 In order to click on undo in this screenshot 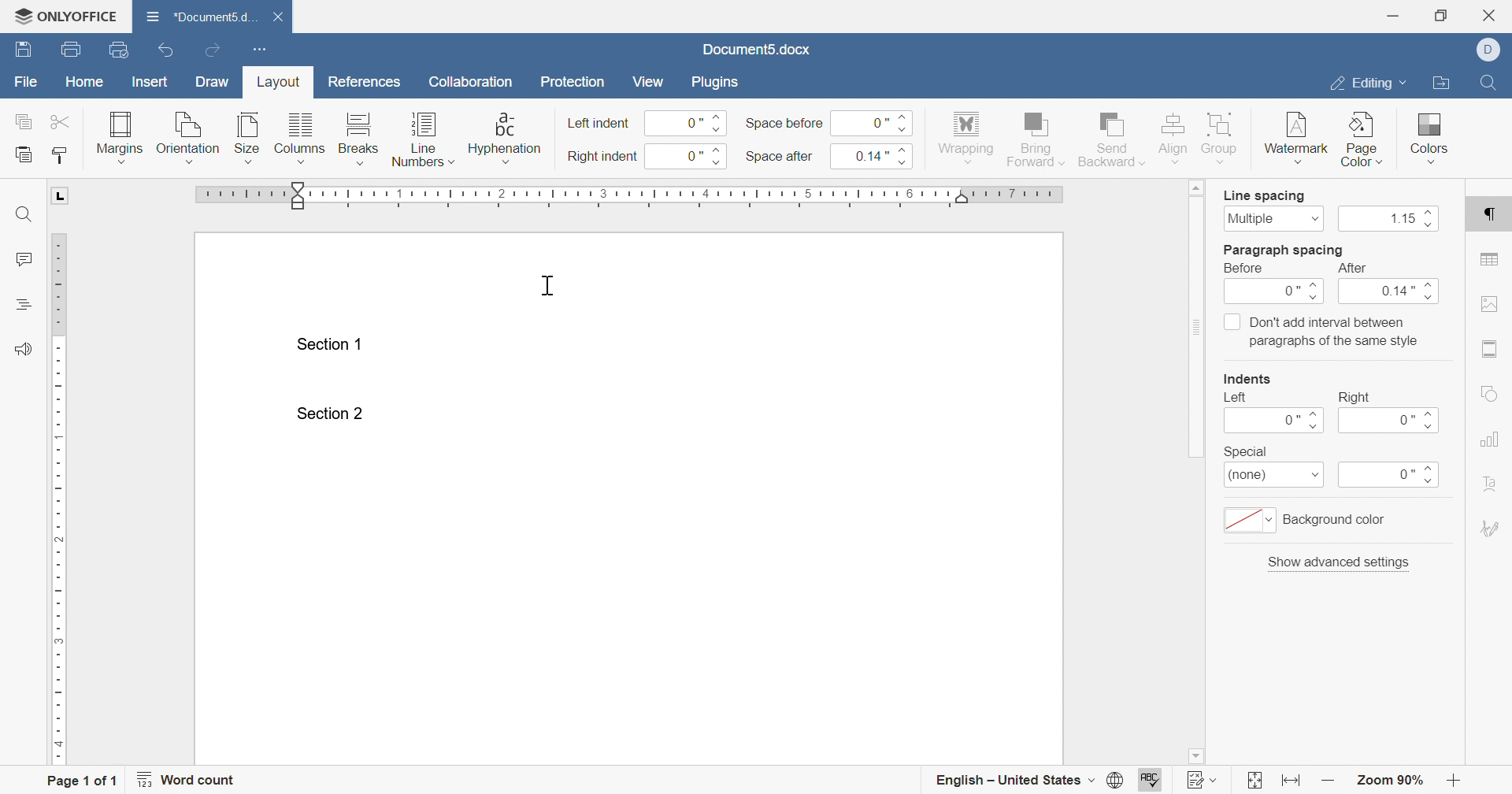, I will do `click(165, 50)`.